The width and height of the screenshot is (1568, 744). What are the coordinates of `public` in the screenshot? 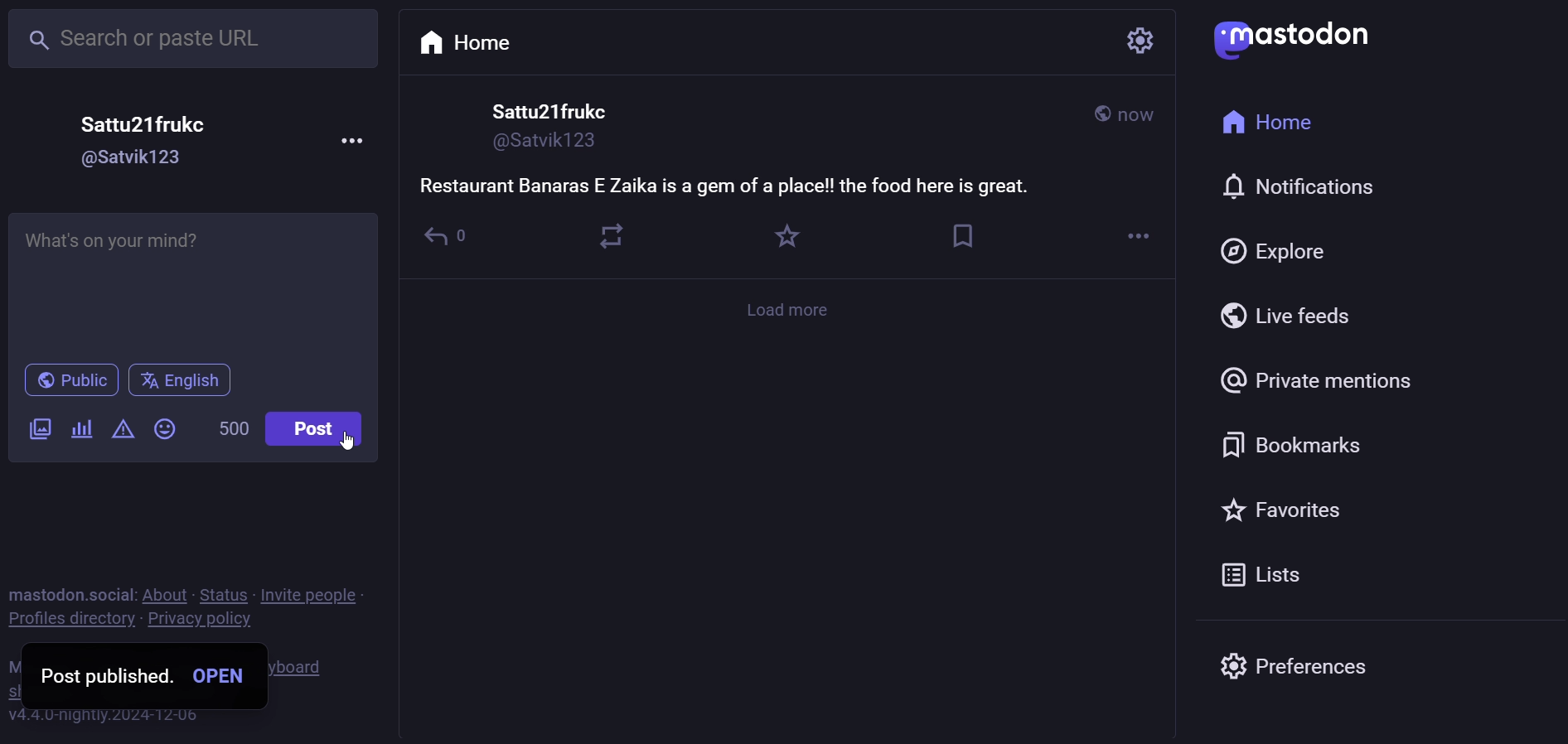 It's located at (1100, 113).